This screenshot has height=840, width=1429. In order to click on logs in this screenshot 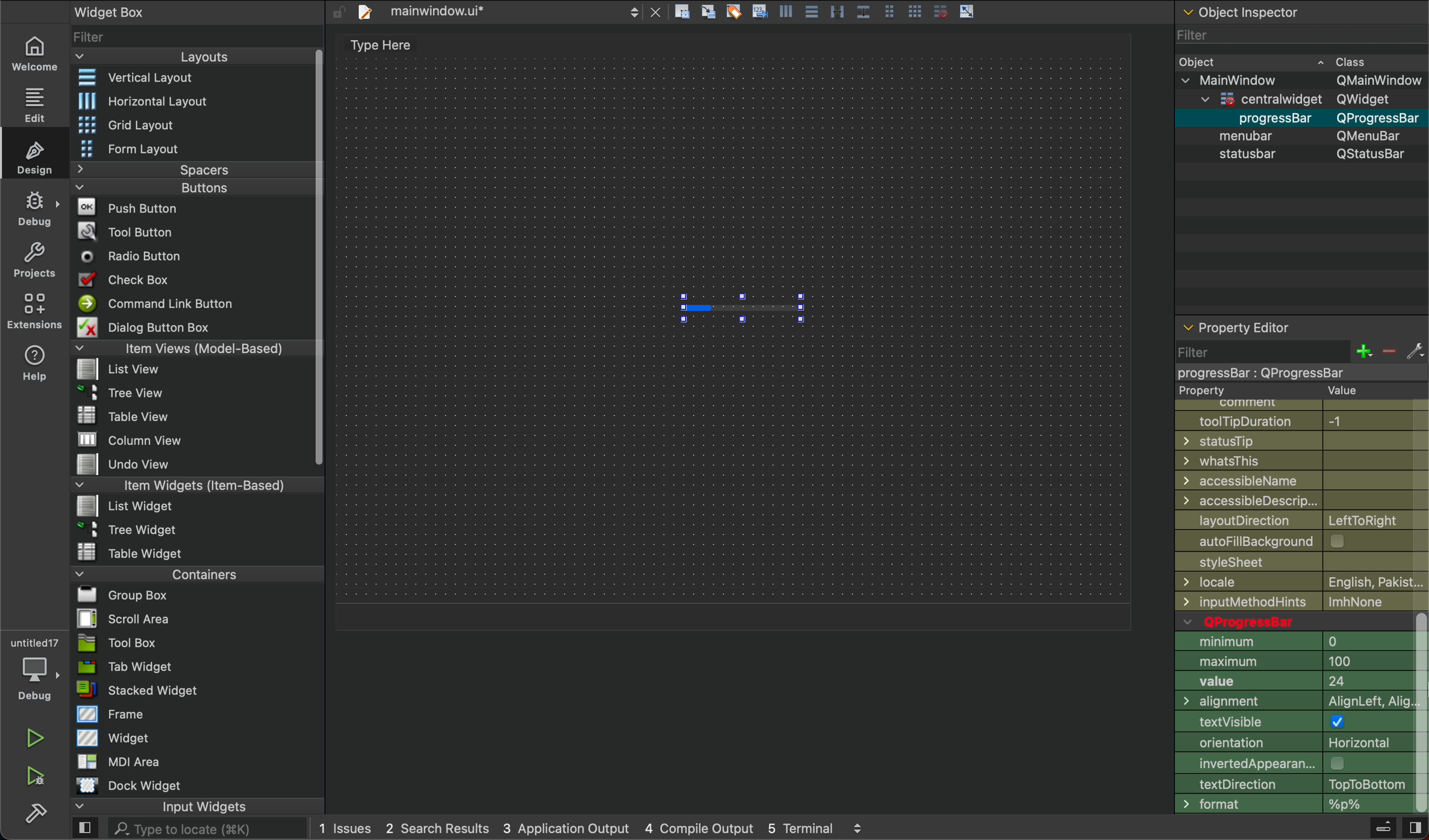, I will do `click(591, 830)`.